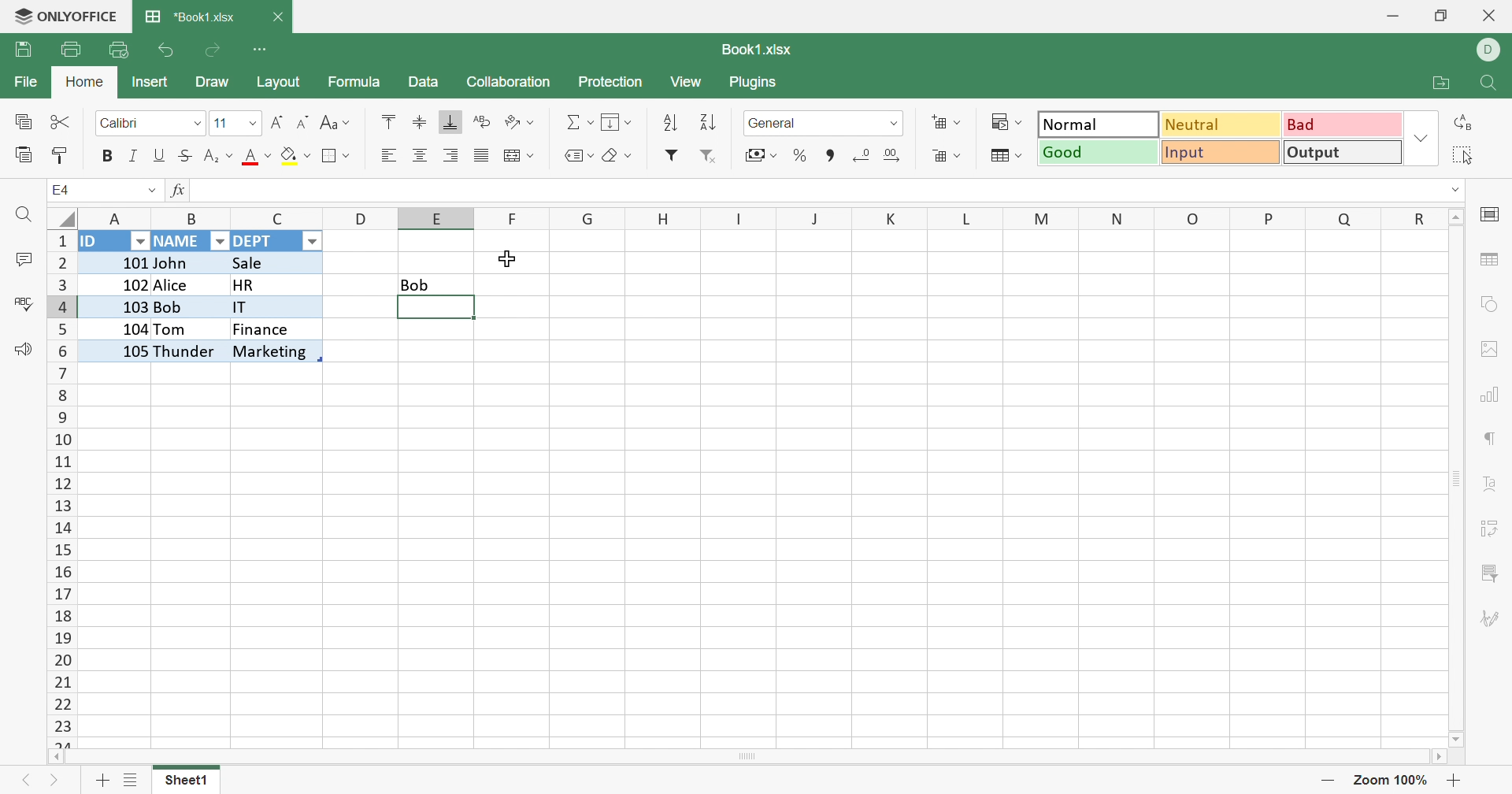  Describe the element at coordinates (436, 284) in the screenshot. I see `Bob` at that location.